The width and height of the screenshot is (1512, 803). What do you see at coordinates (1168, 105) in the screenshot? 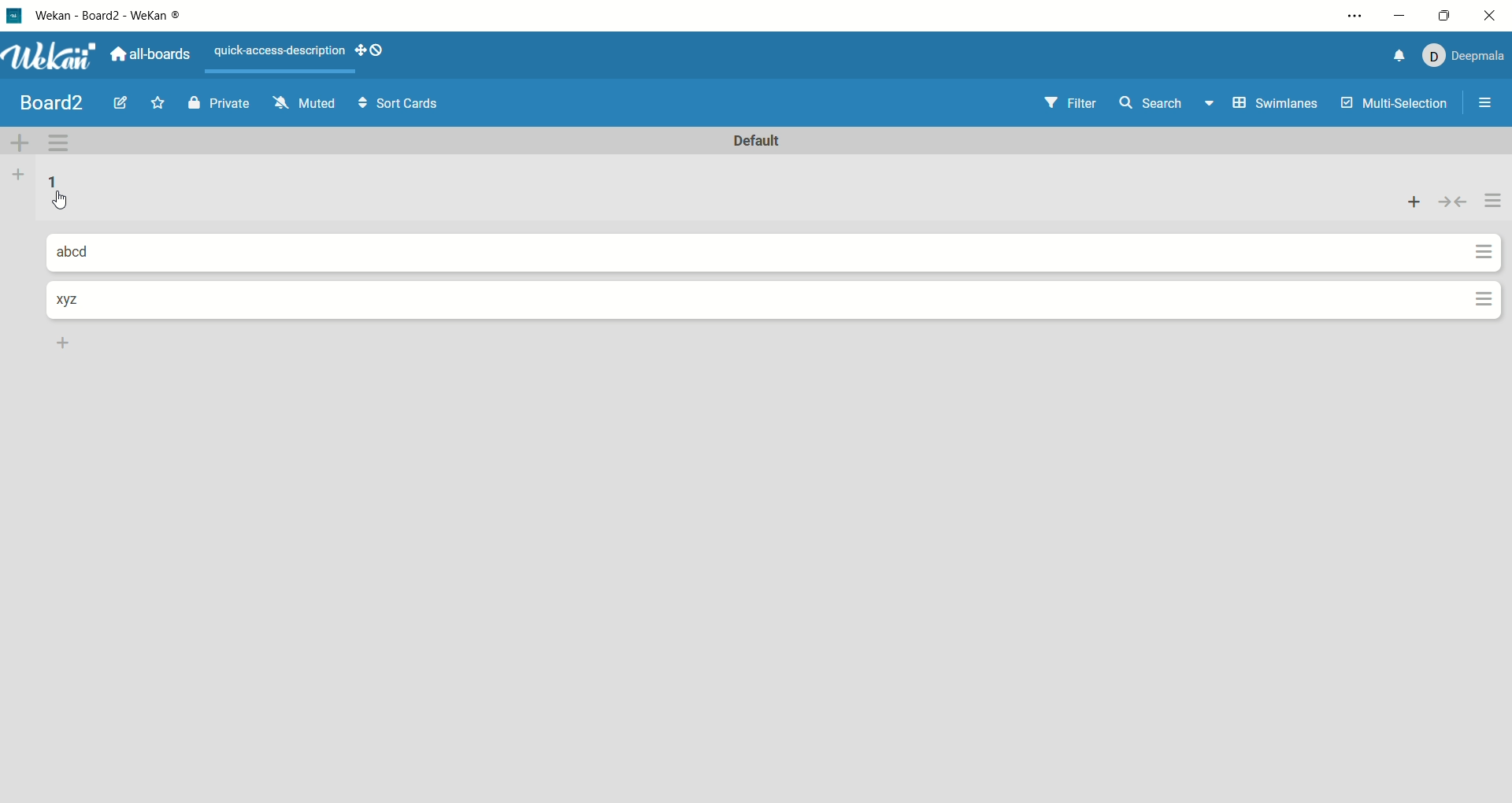
I see `search` at bounding box center [1168, 105].